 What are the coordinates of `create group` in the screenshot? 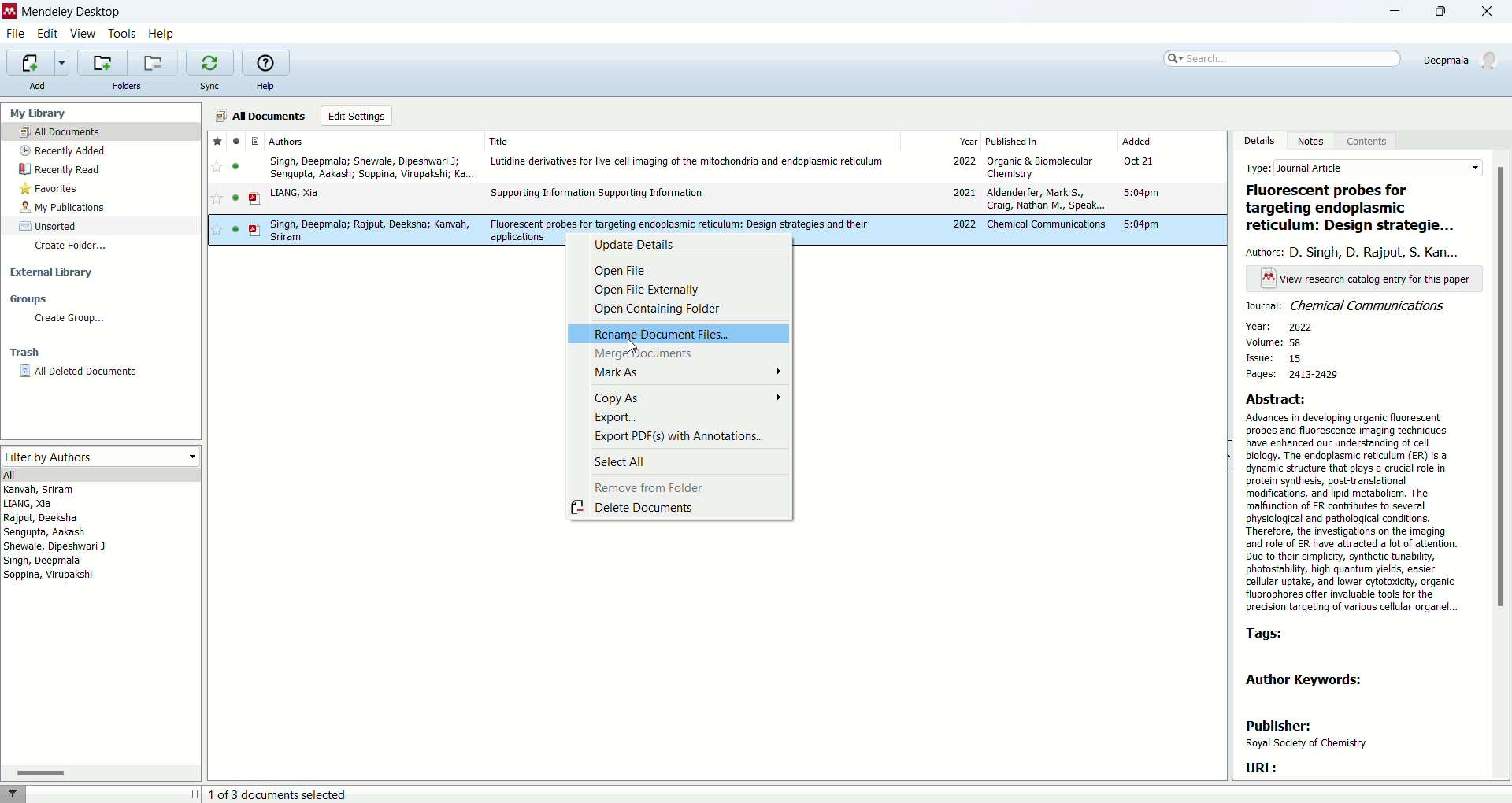 It's located at (68, 320).